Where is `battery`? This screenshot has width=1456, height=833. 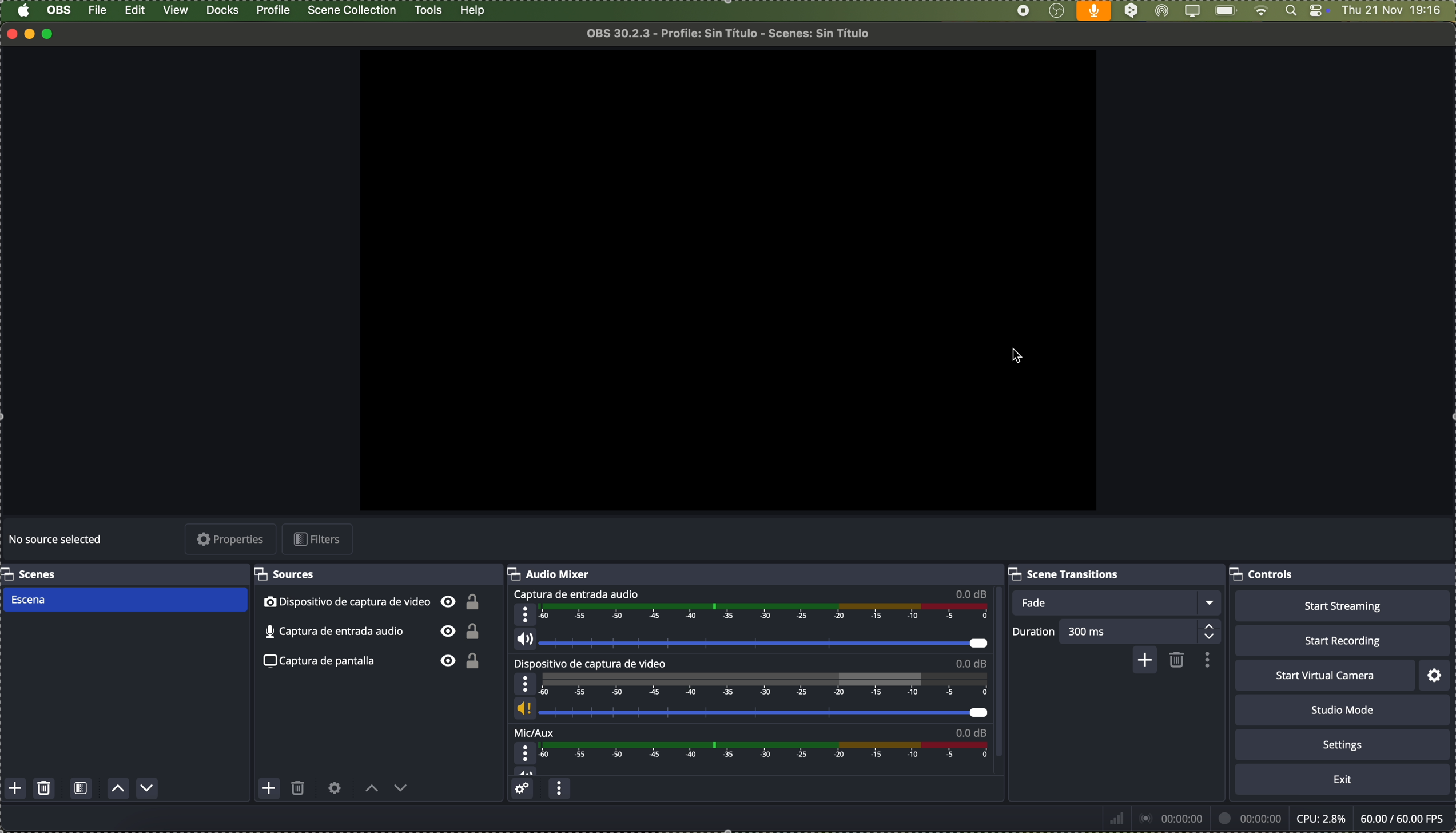 battery is located at coordinates (1225, 11).